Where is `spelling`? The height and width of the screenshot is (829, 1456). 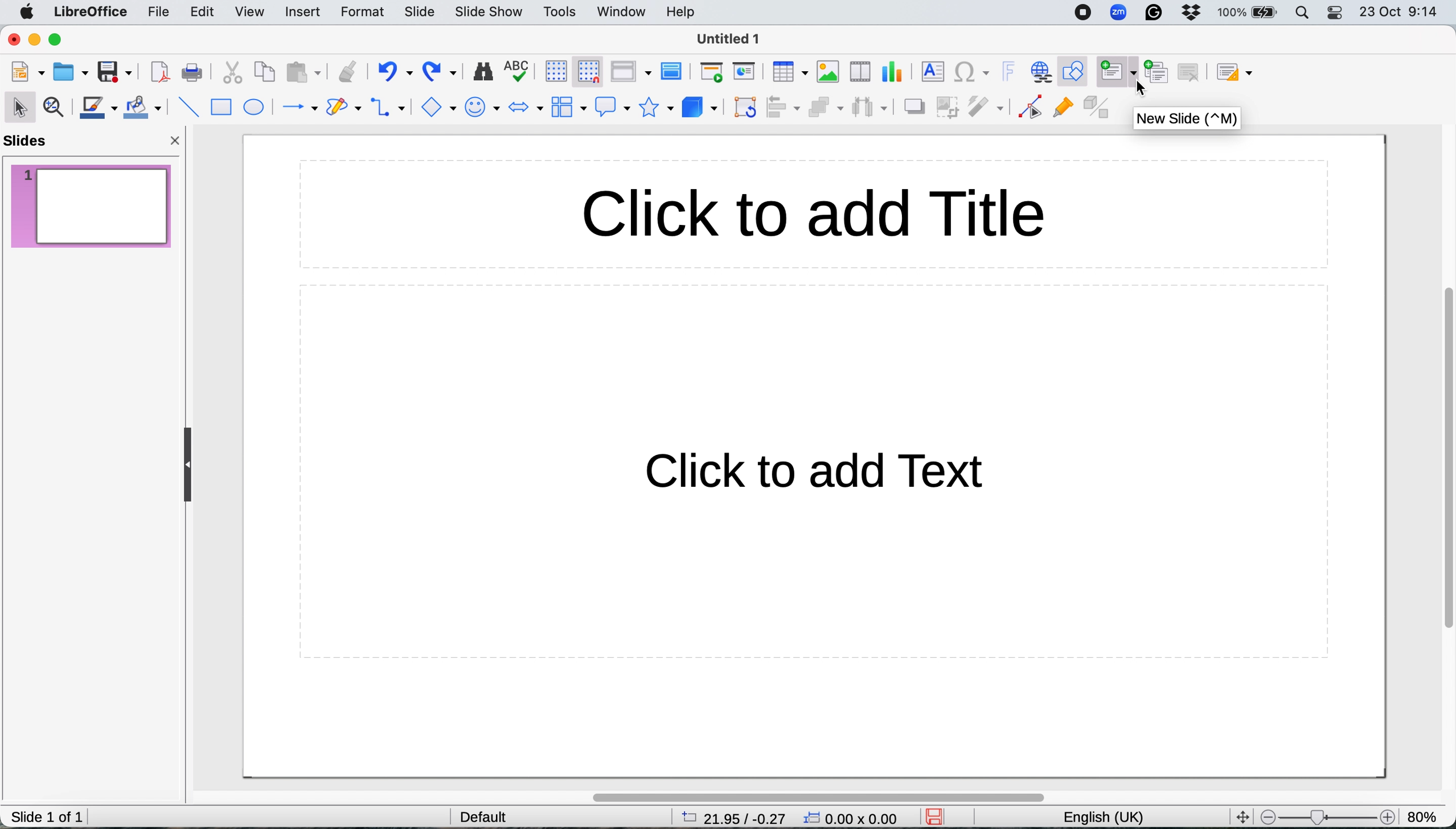
spelling is located at coordinates (518, 71).